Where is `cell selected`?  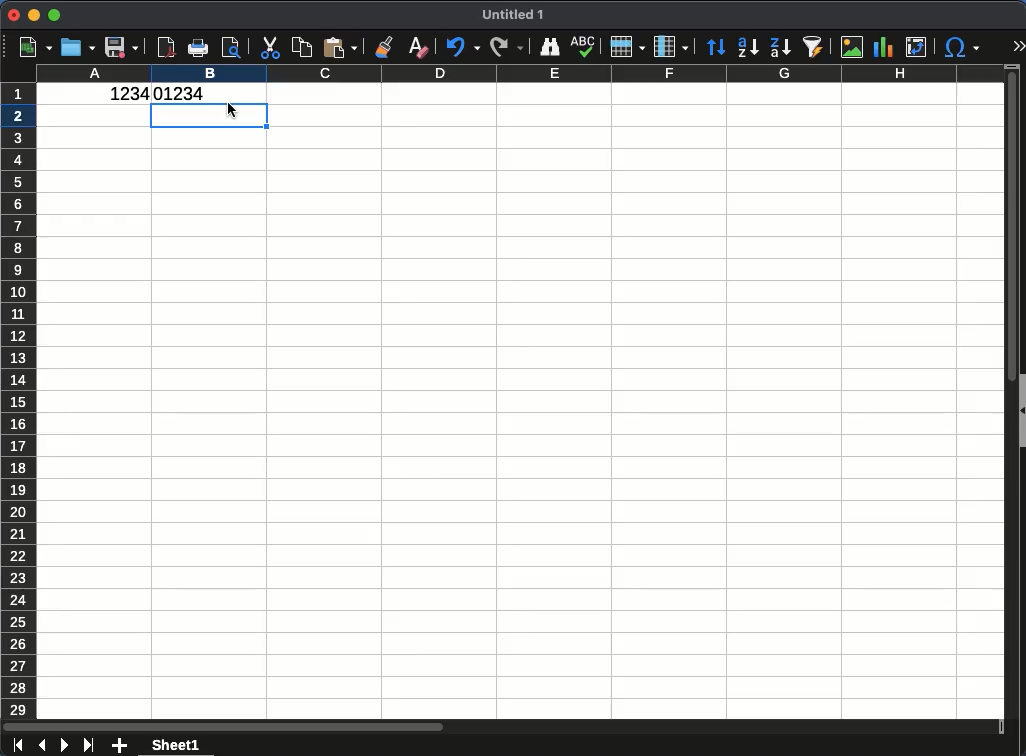
cell selected is located at coordinates (208, 117).